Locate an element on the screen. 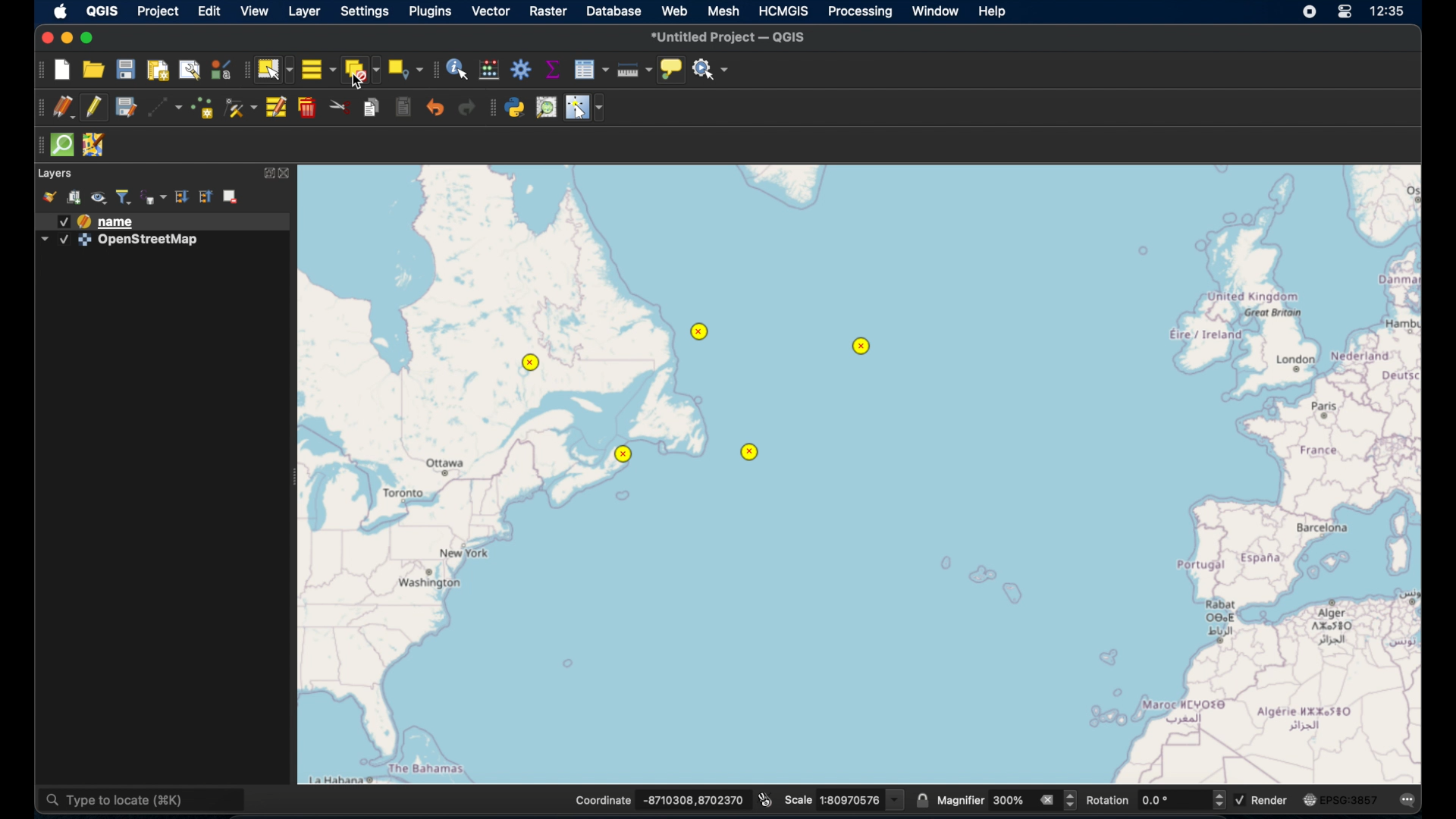 Image resolution: width=1456 pixels, height=819 pixels. filter legend by expression is located at coordinates (154, 197).